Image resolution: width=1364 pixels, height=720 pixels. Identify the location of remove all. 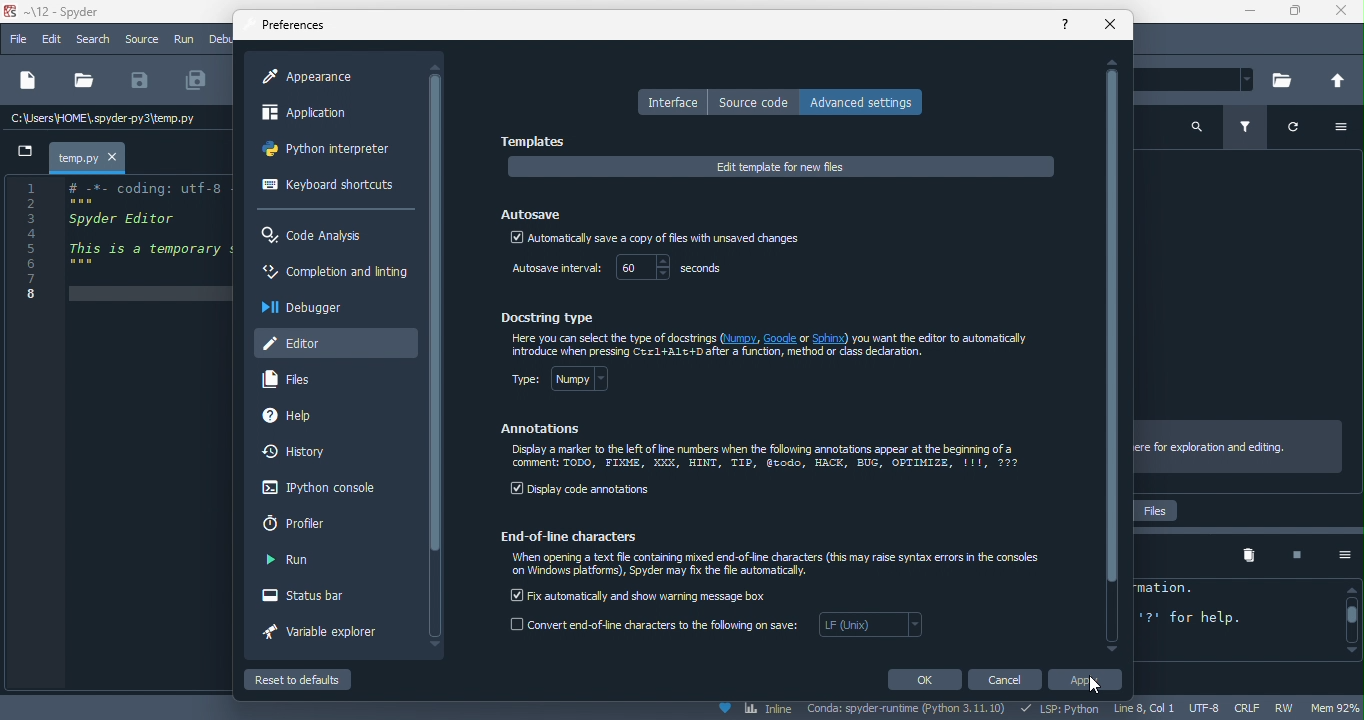
(1249, 556).